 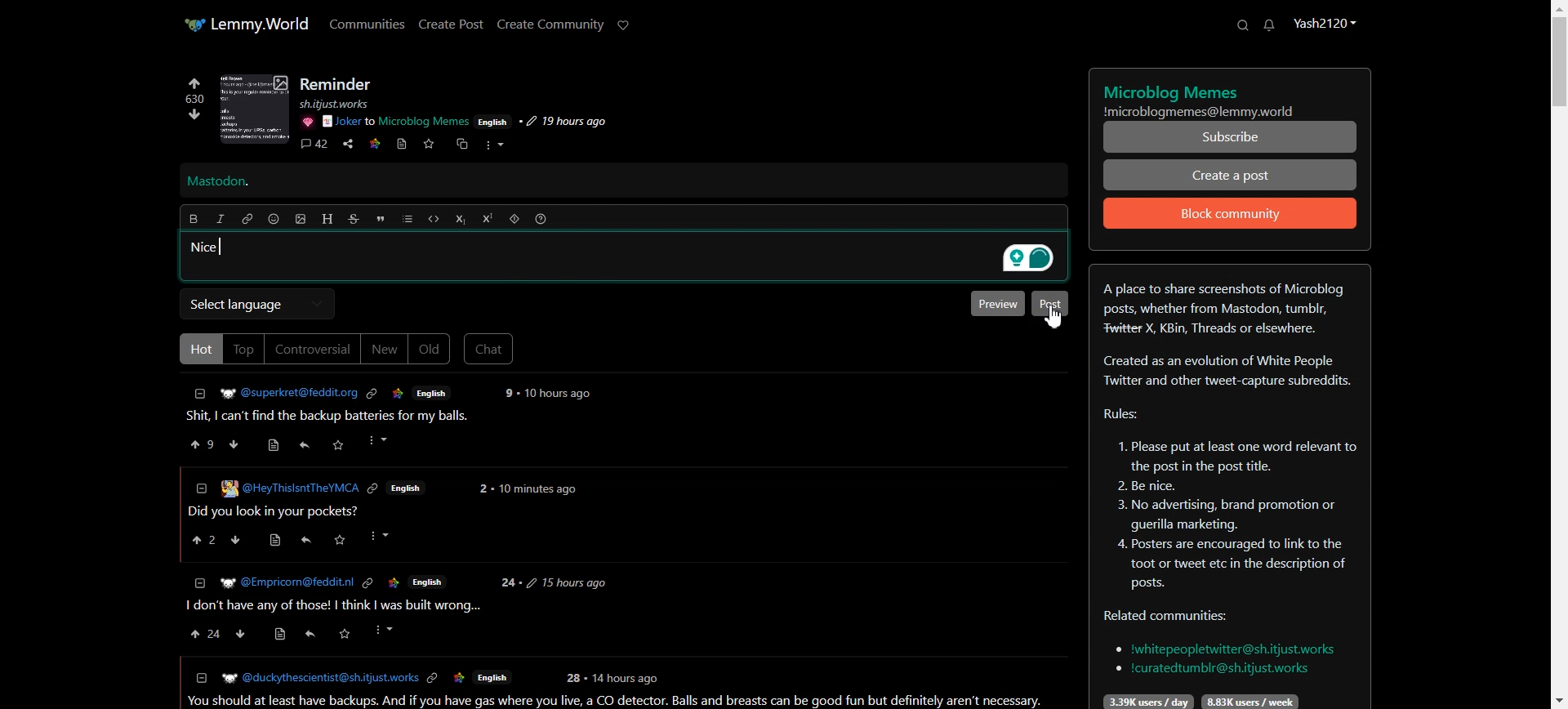 I want to click on , so click(x=383, y=536).